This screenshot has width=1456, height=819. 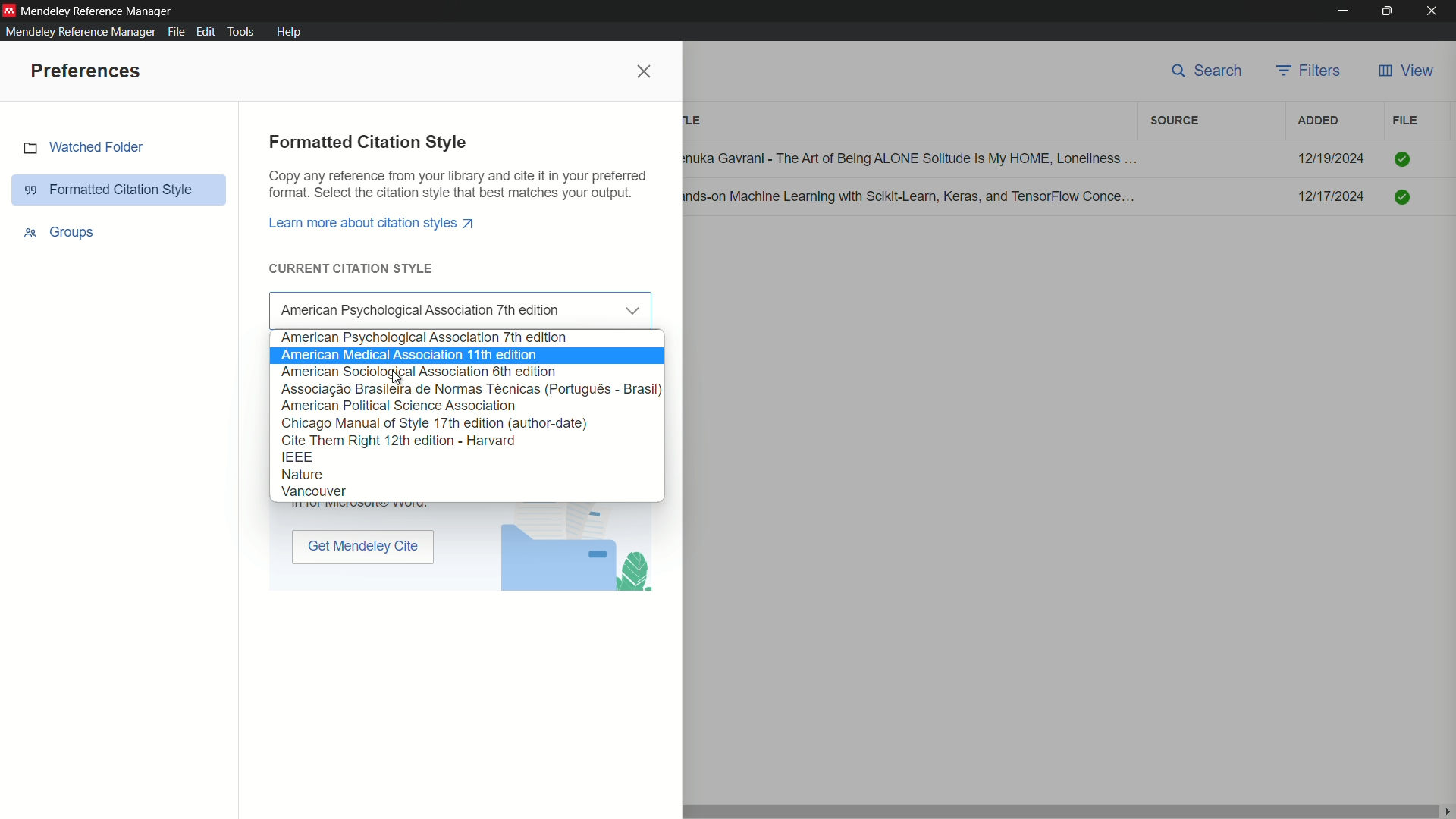 What do you see at coordinates (99, 11) in the screenshot?
I see `app name` at bounding box center [99, 11].